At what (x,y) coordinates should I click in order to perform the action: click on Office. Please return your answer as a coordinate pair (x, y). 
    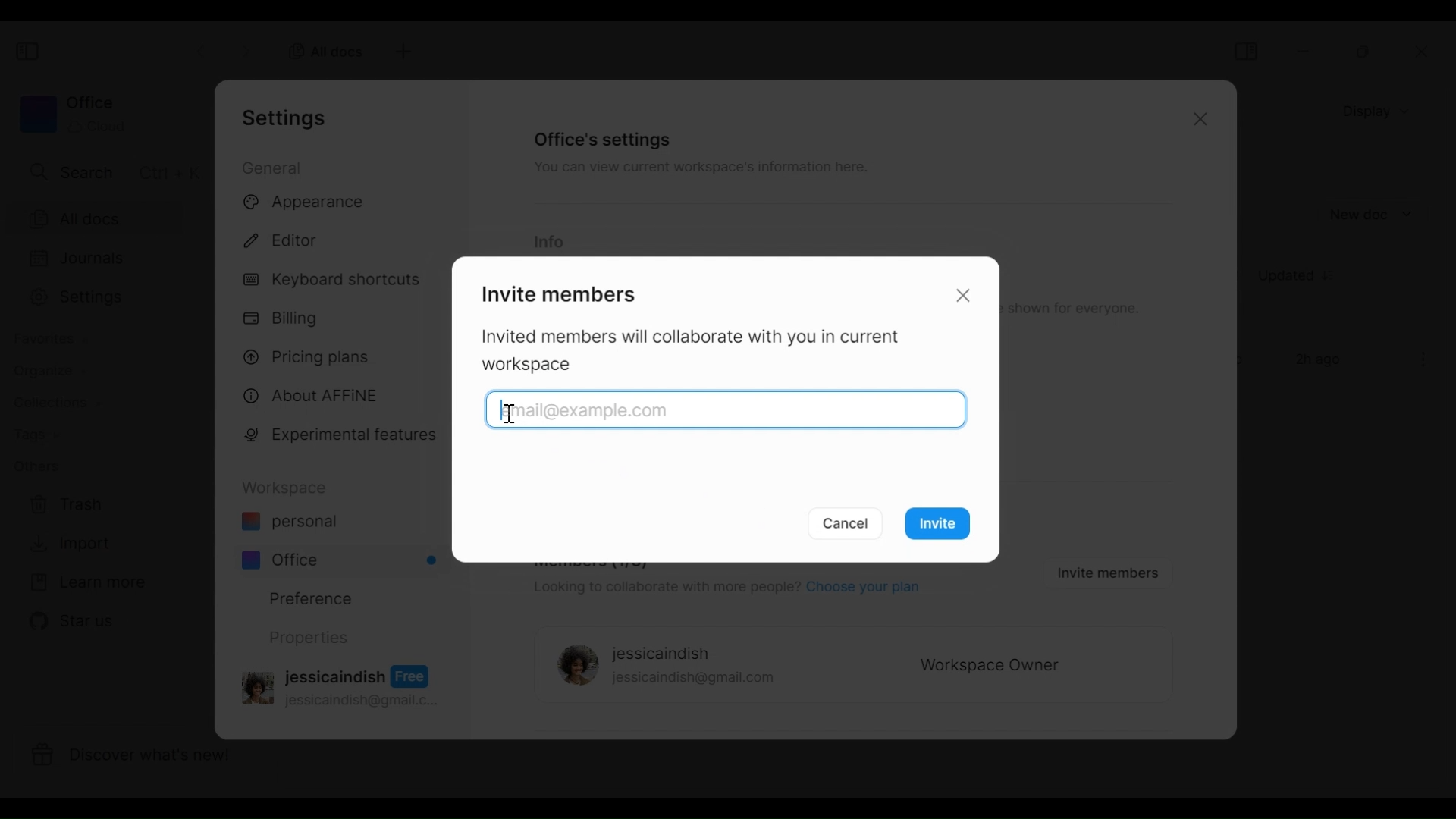
    Looking at the image, I should click on (341, 560).